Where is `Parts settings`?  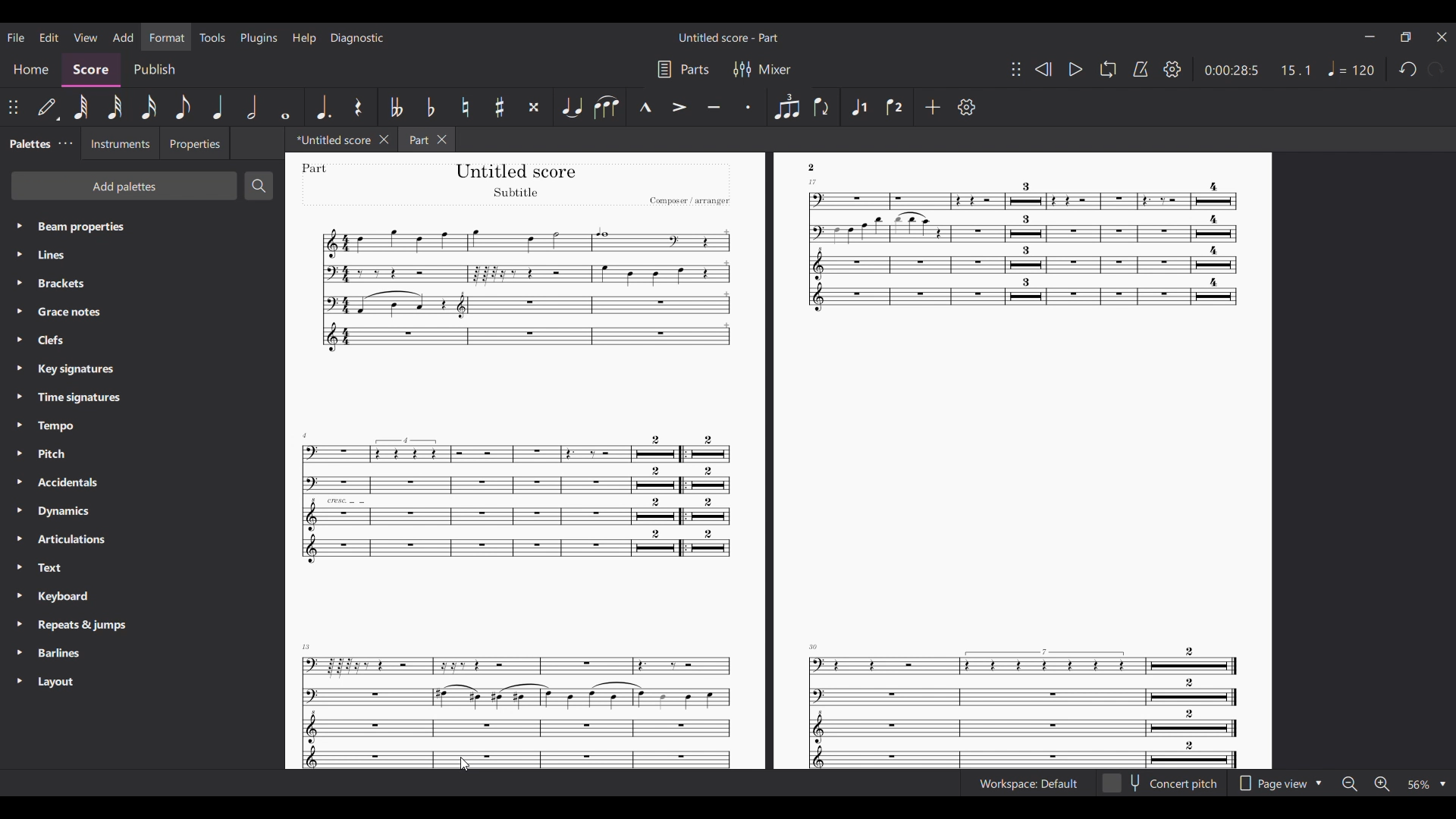 Parts settings is located at coordinates (684, 70).